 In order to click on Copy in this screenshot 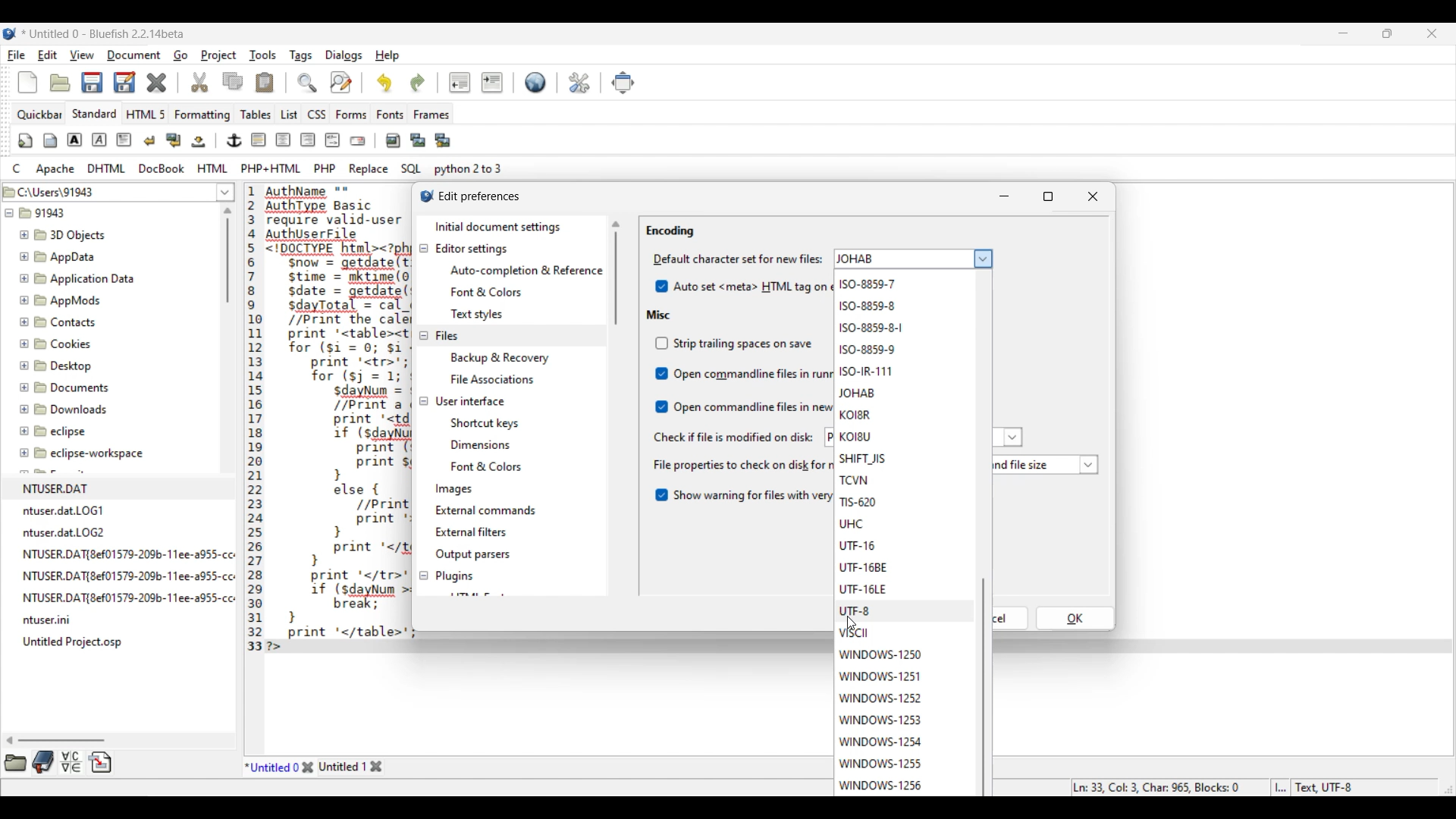, I will do `click(233, 81)`.